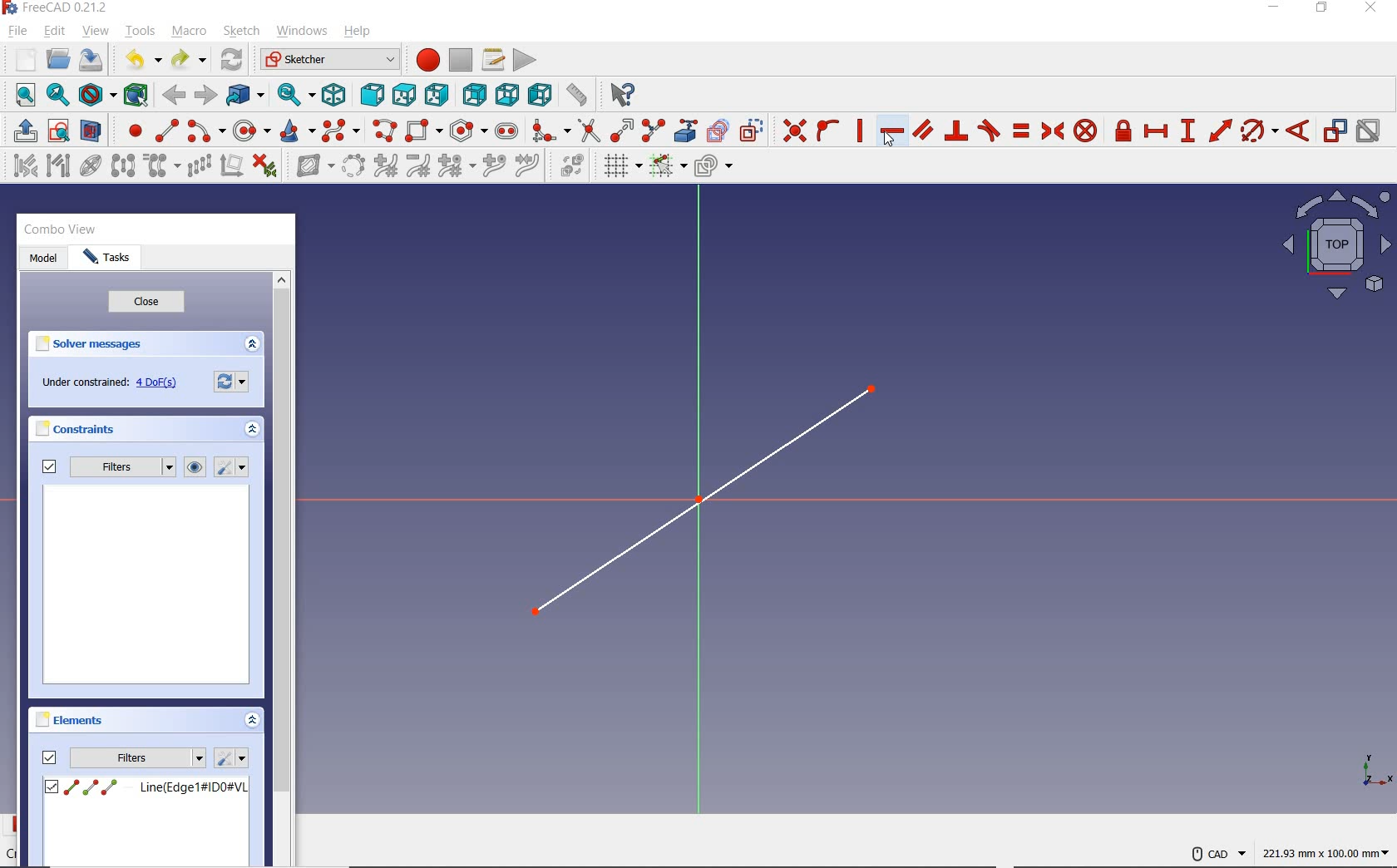 The image size is (1397, 868). What do you see at coordinates (923, 129) in the screenshot?
I see `CONSTRAIN PARALLEL` at bounding box center [923, 129].